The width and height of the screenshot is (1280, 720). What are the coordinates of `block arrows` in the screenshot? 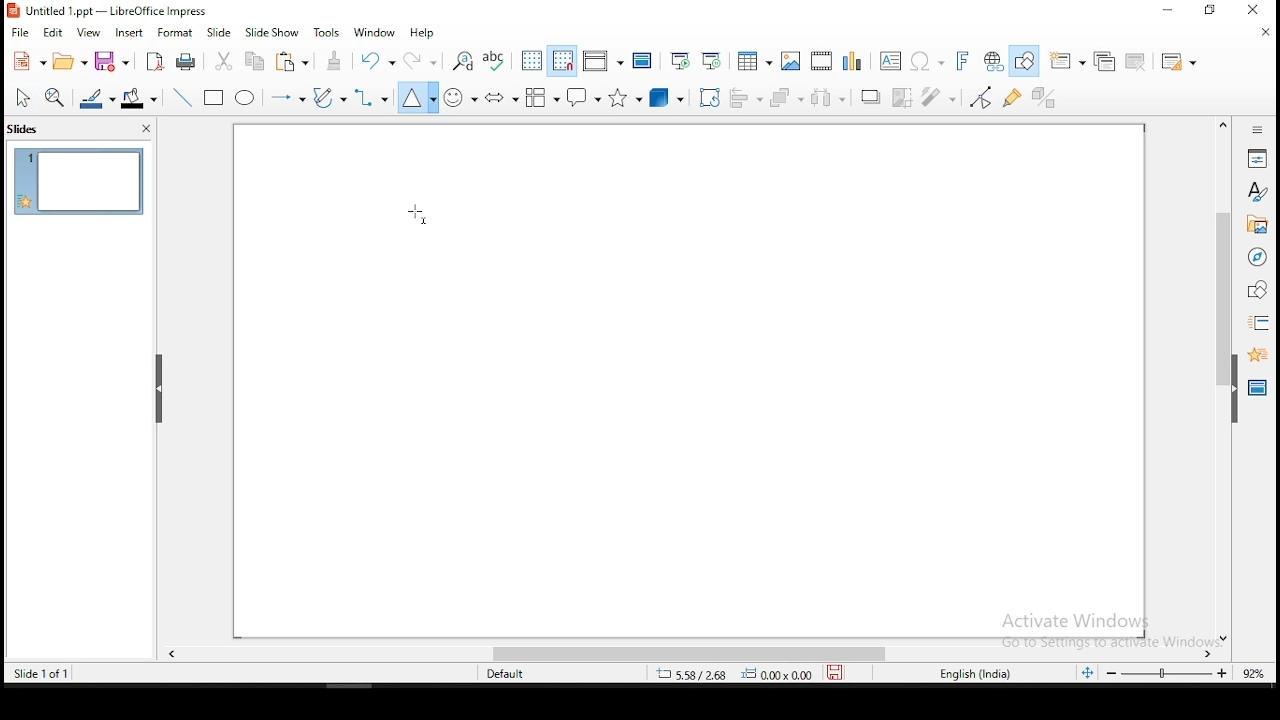 It's located at (501, 96).